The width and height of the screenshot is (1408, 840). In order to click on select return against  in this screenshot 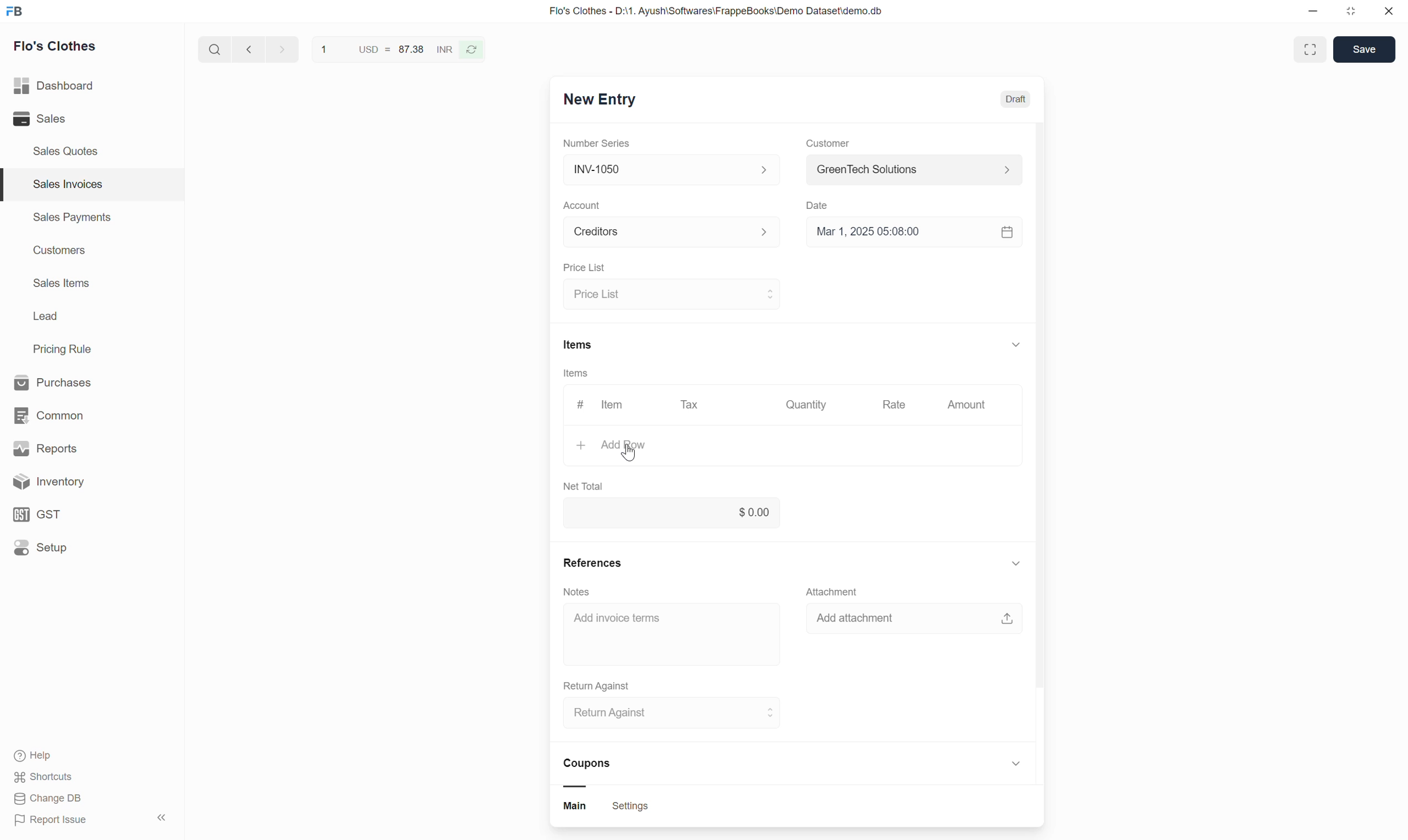, I will do `click(666, 715)`.